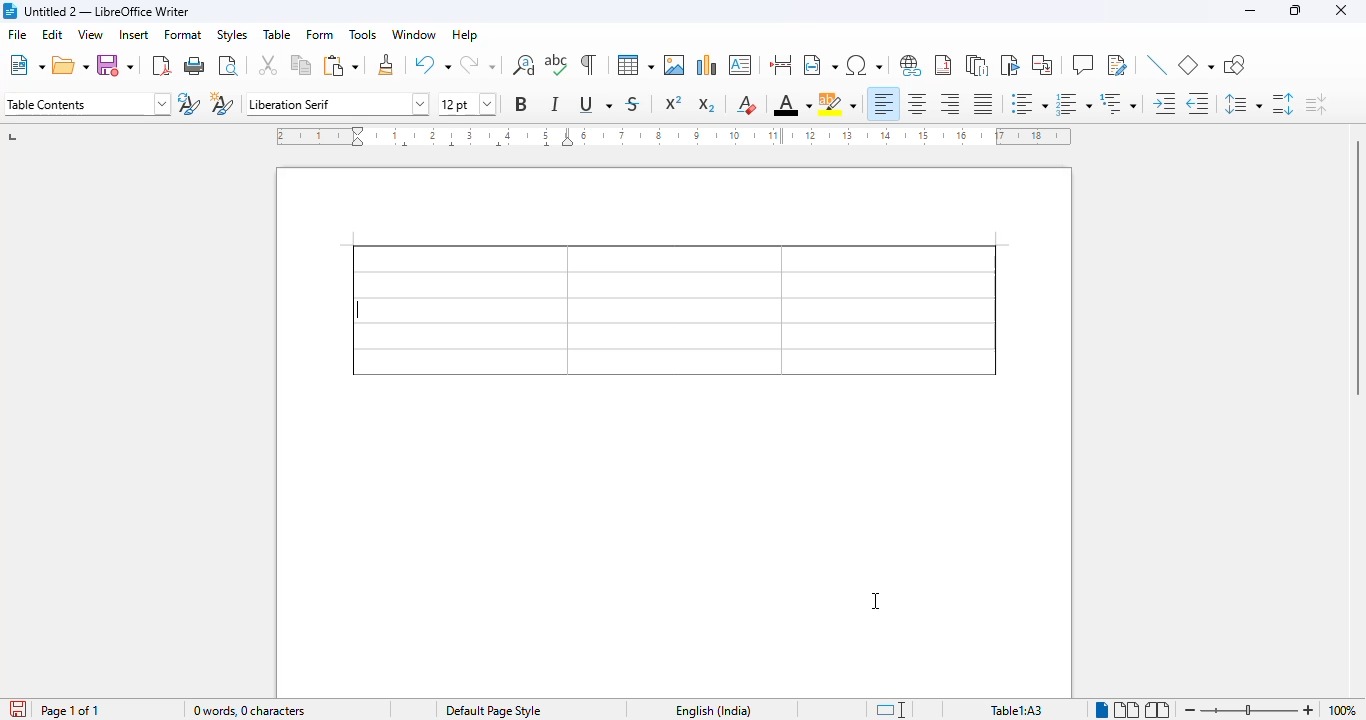 This screenshot has height=720, width=1366. What do you see at coordinates (221, 103) in the screenshot?
I see `new style from selection` at bounding box center [221, 103].